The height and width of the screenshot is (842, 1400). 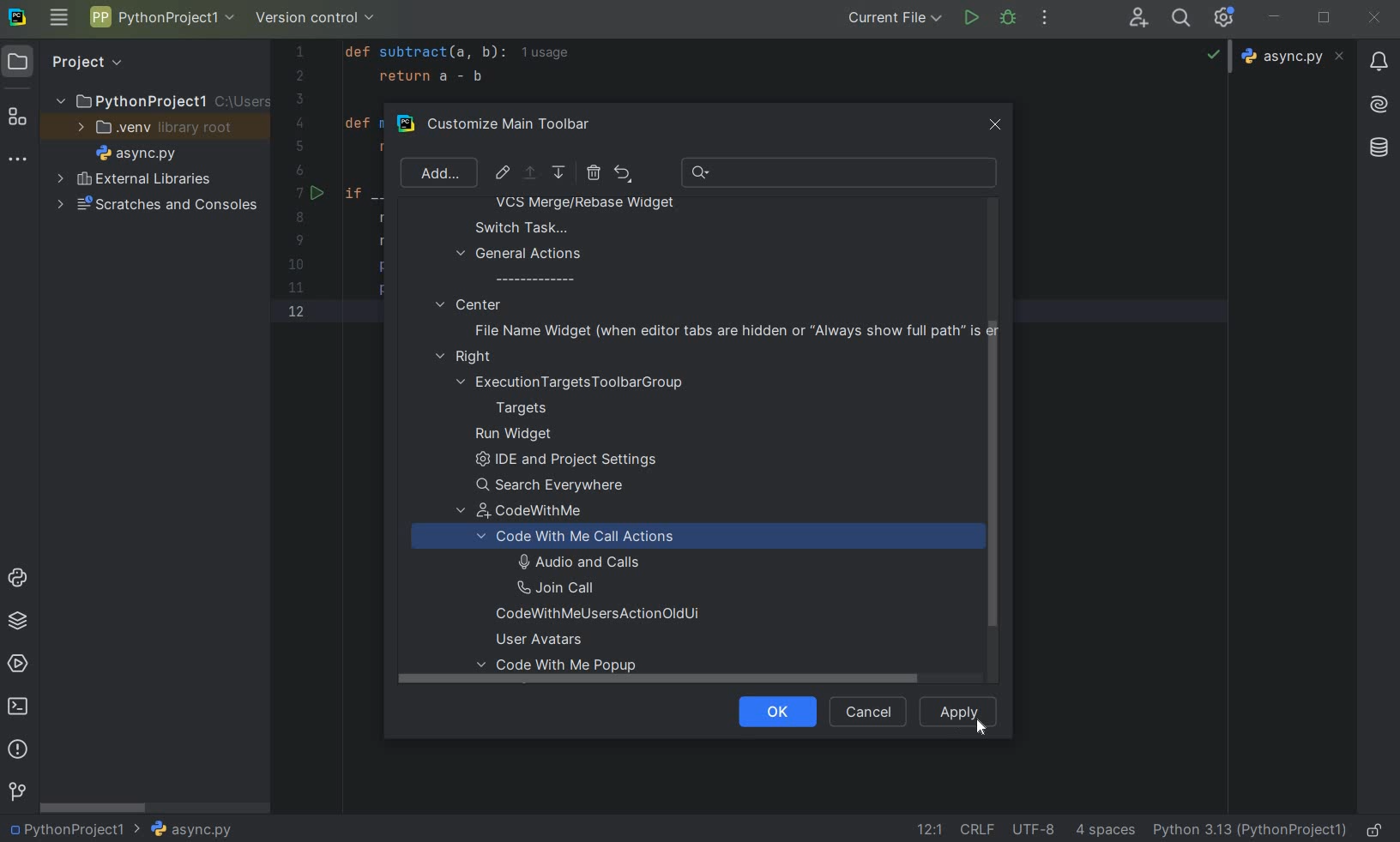 What do you see at coordinates (514, 435) in the screenshot?
I see `run widget` at bounding box center [514, 435].